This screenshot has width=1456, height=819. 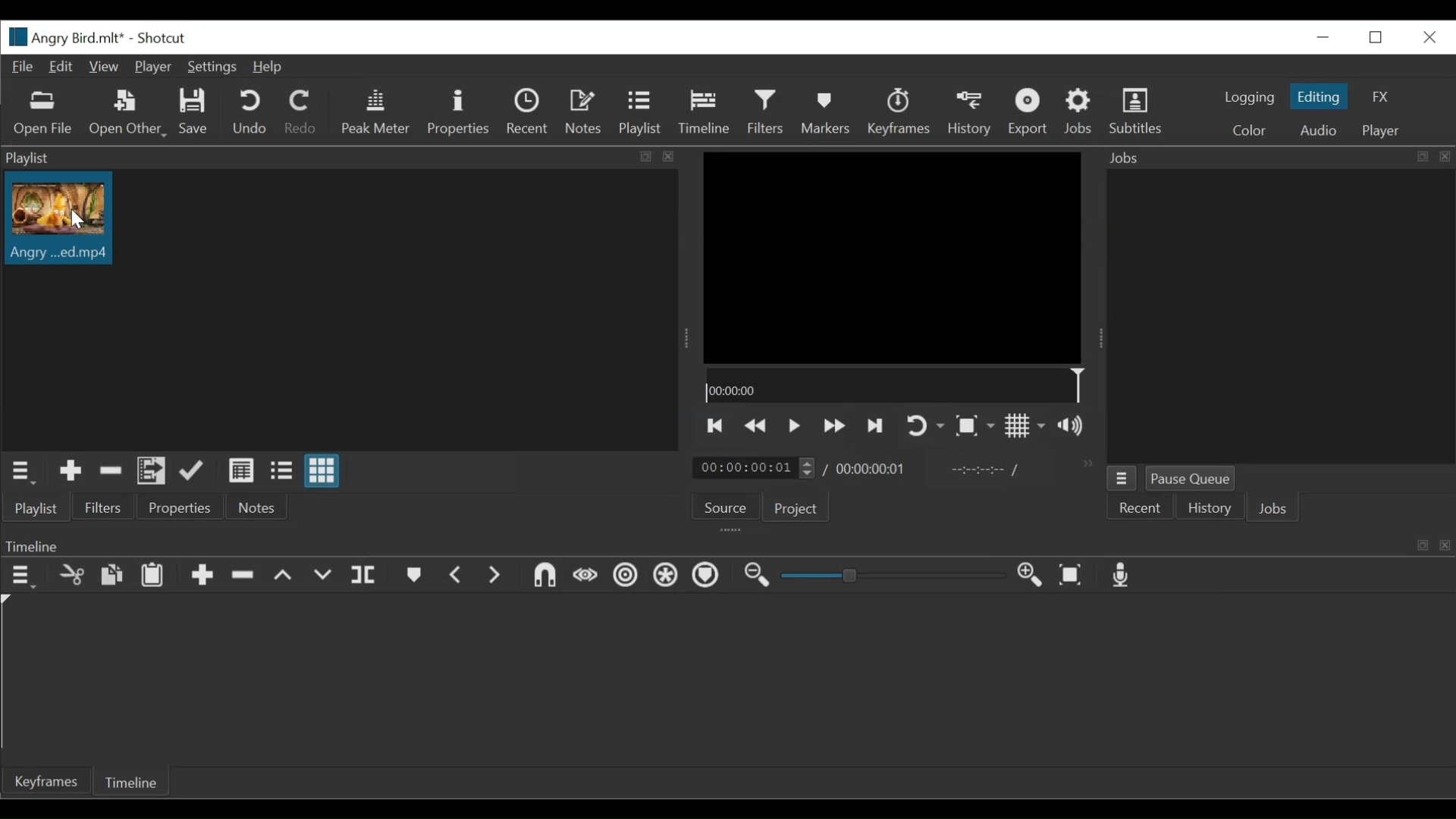 I want to click on Update, so click(x=194, y=472).